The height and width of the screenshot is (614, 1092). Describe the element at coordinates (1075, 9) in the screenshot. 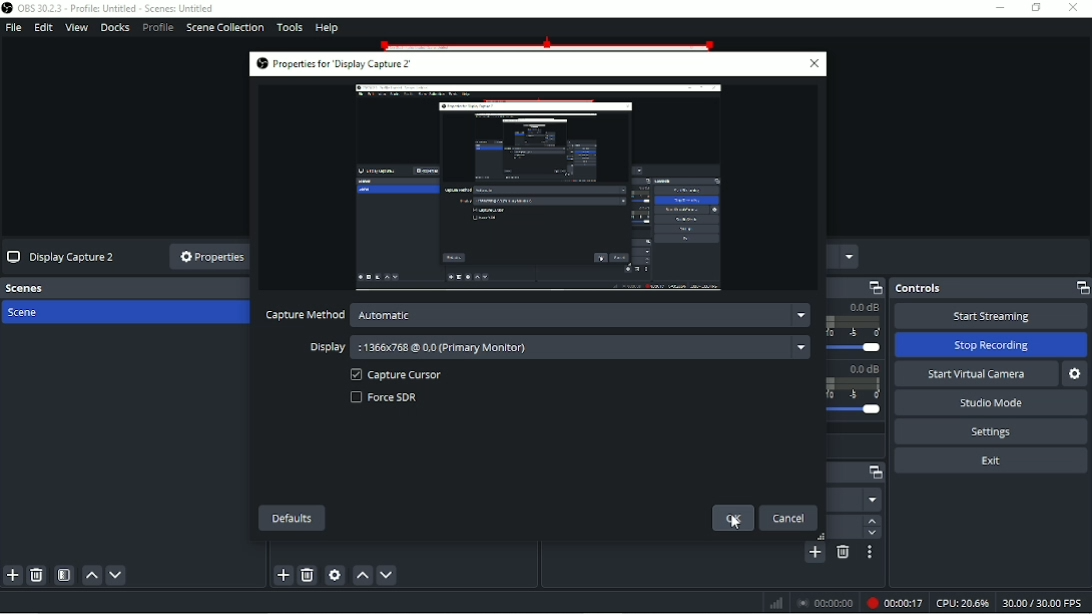

I see `Close` at that location.